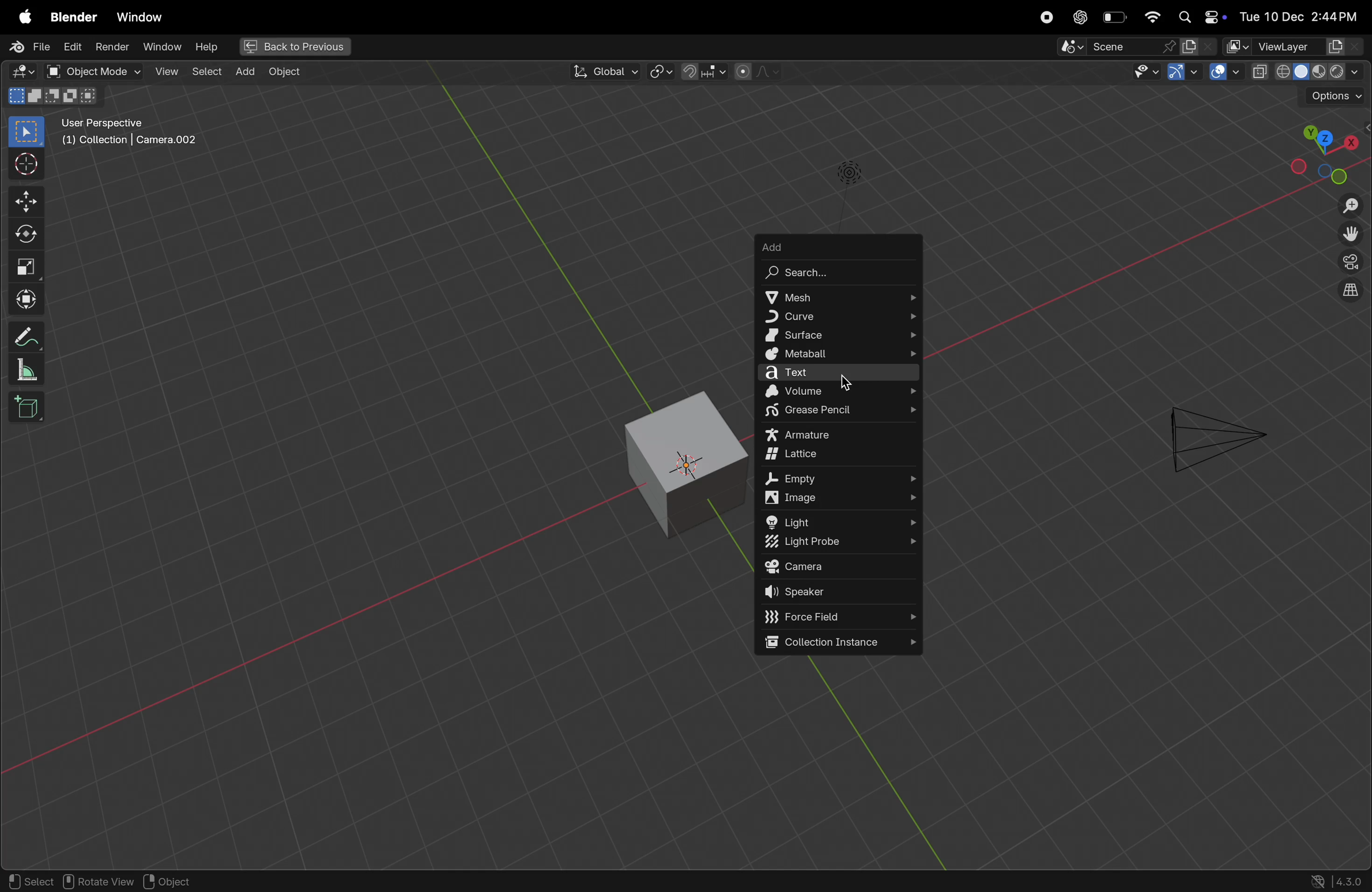 This screenshot has height=892, width=1372. What do you see at coordinates (72, 18) in the screenshot?
I see `Blender` at bounding box center [72, 18].